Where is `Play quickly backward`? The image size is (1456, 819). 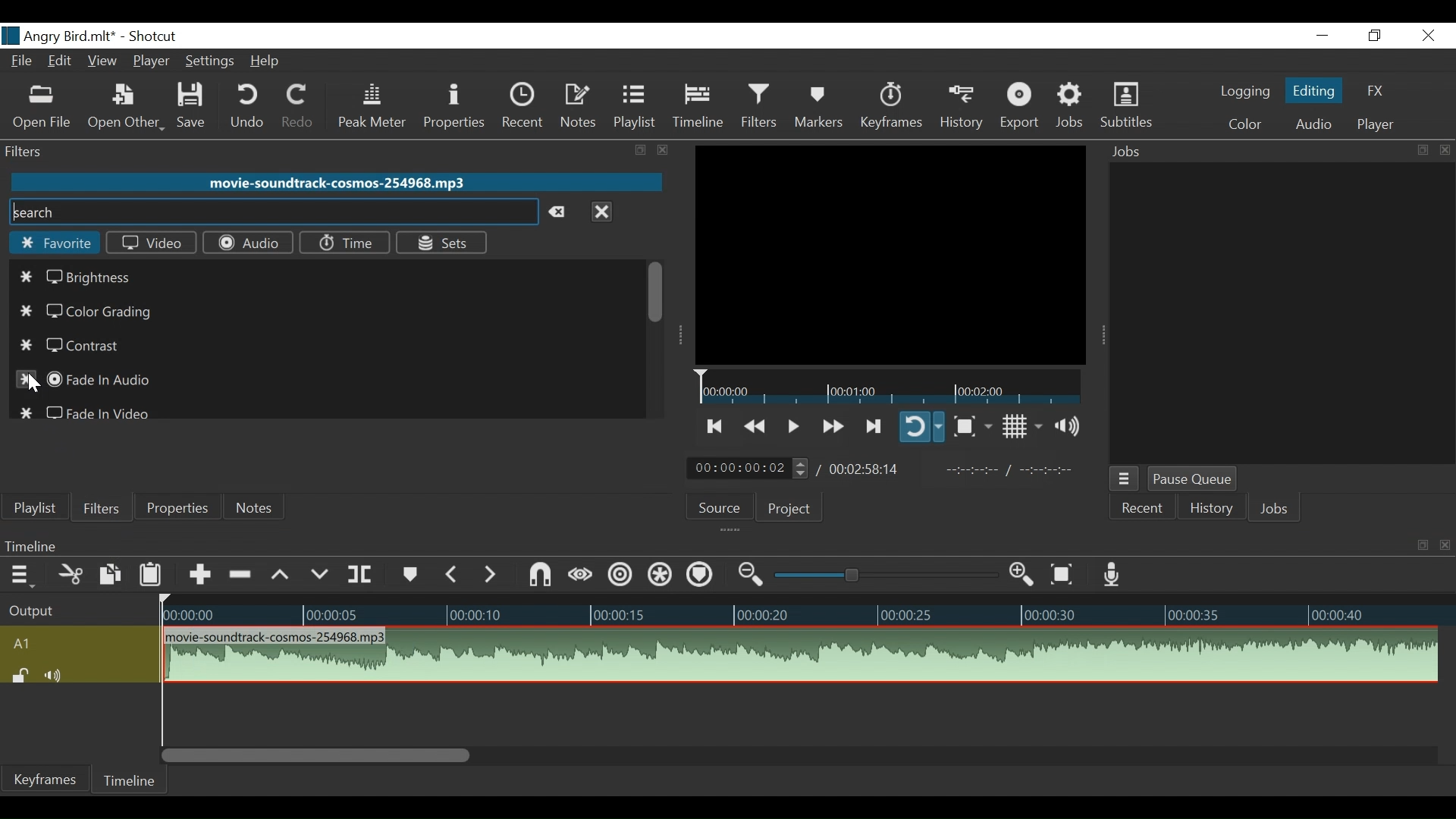 Play quickly backward is located at coordinates (754, 424).